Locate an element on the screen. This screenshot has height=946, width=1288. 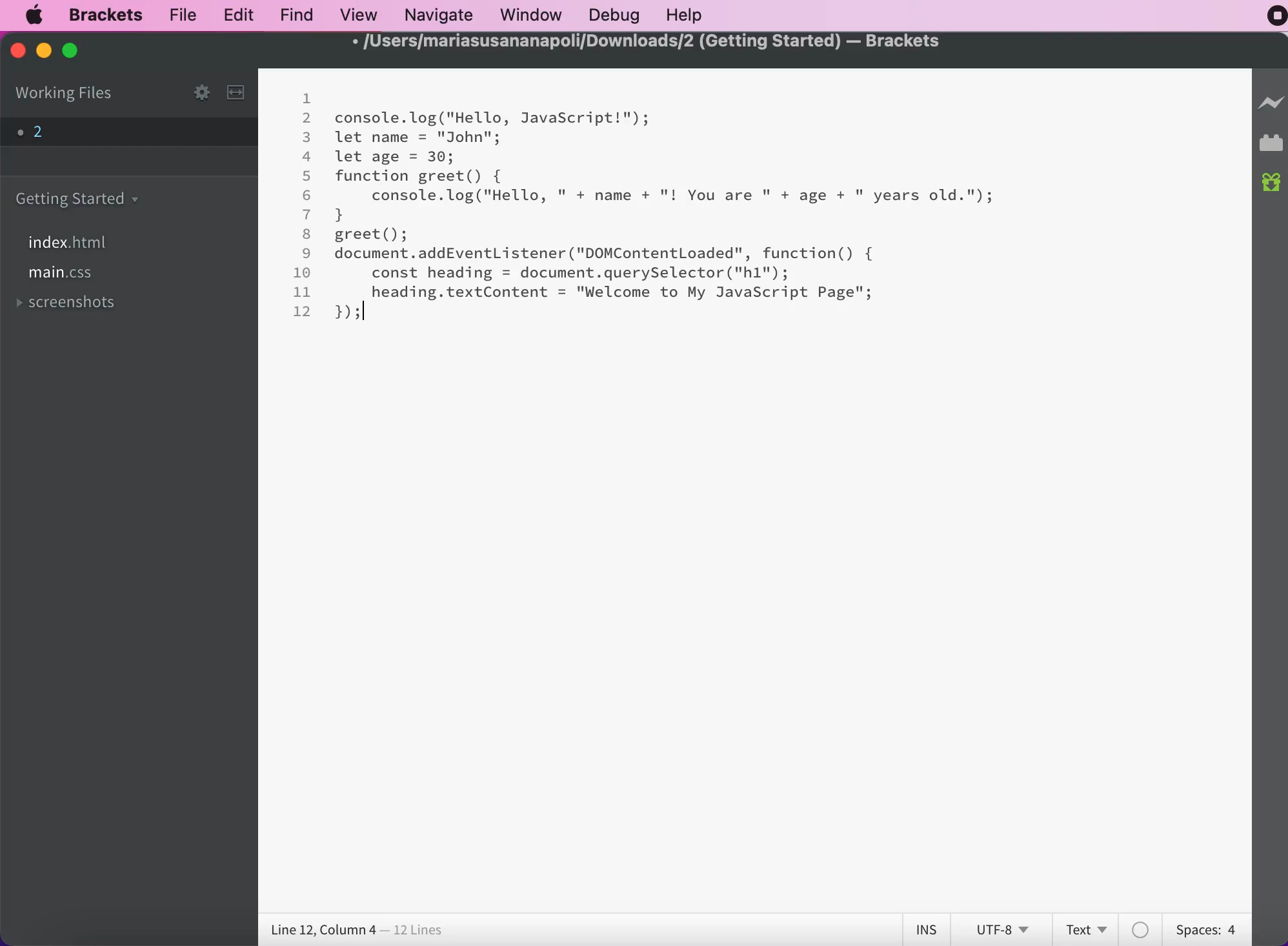
close is located at coordinates (14, 52).